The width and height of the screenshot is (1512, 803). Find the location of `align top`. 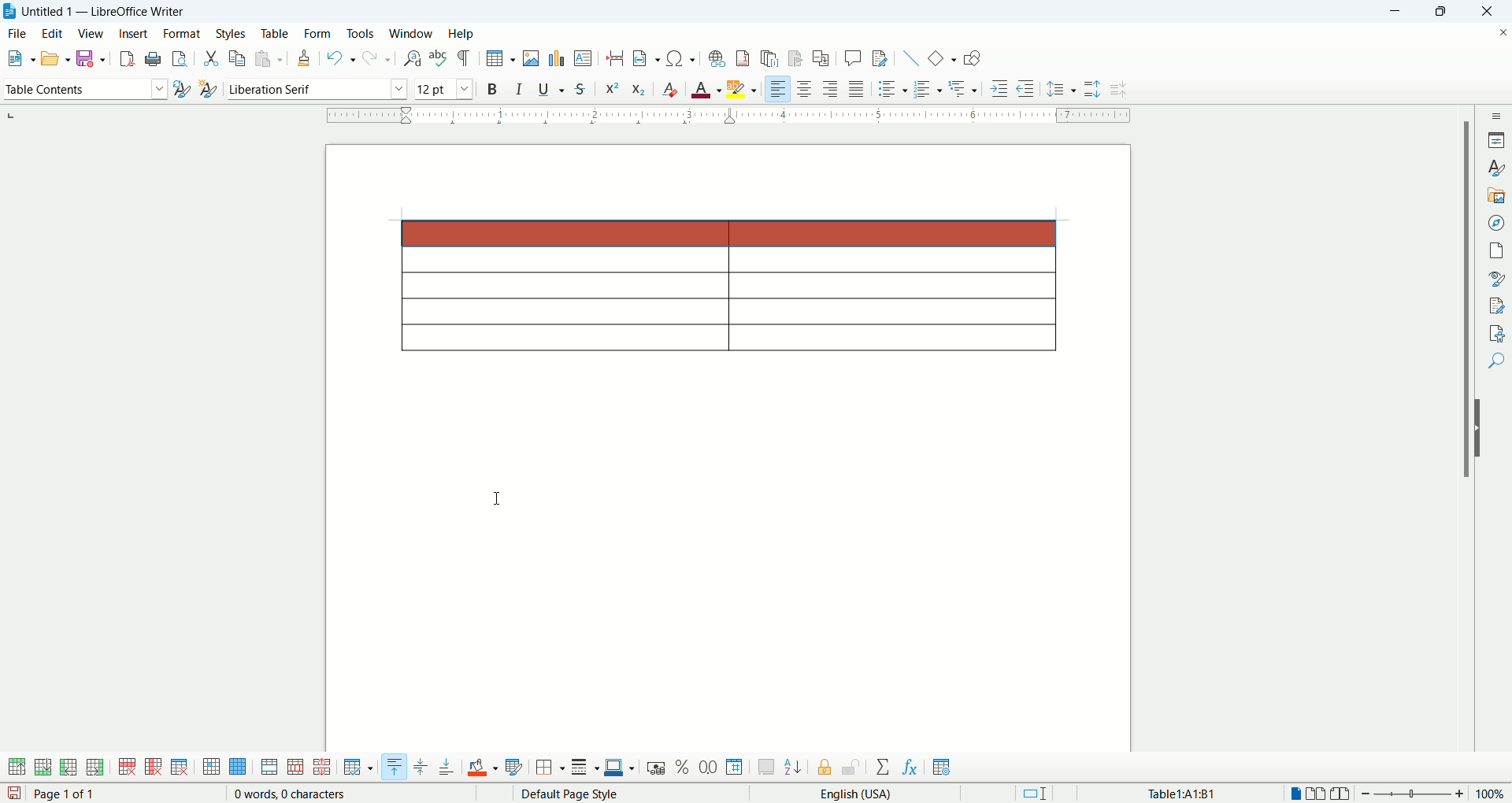

align top is located at coordinates (393, 767).